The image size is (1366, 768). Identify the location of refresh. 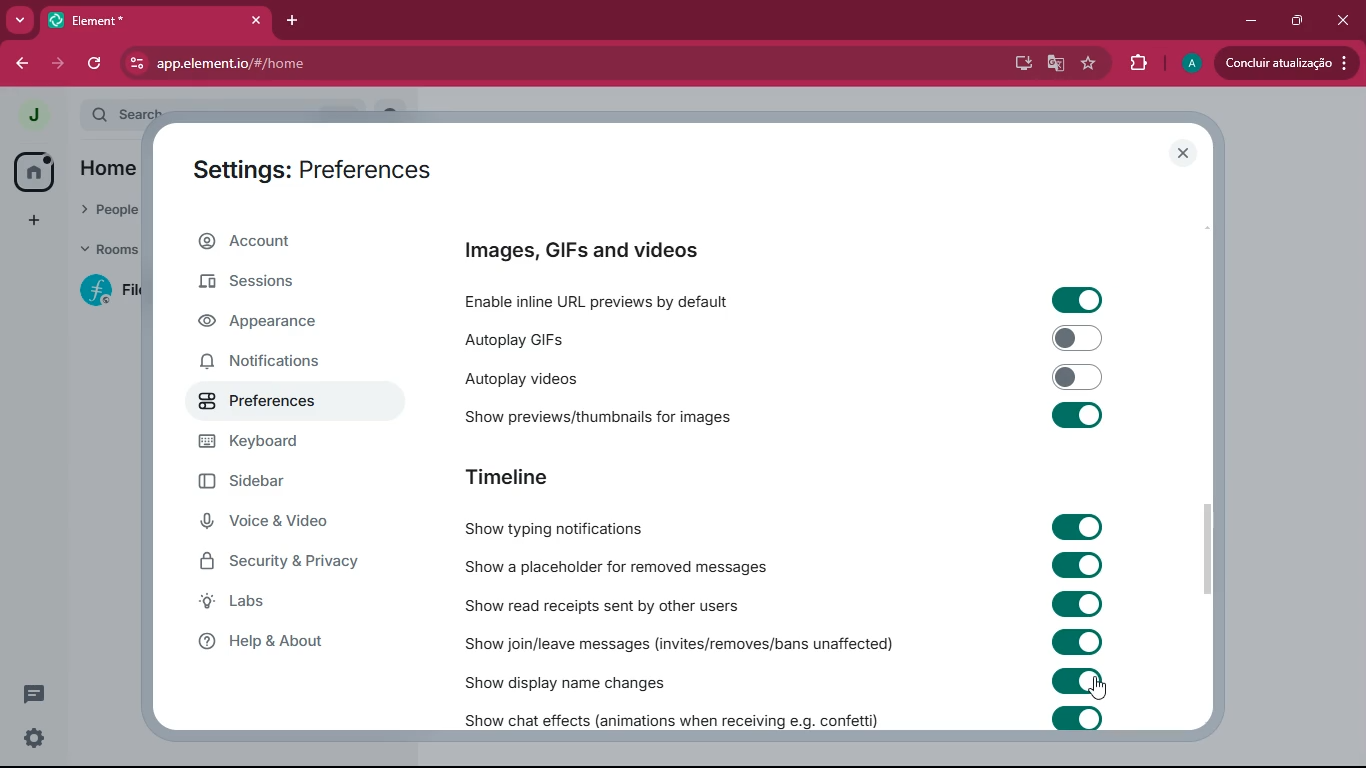
(96, 64).